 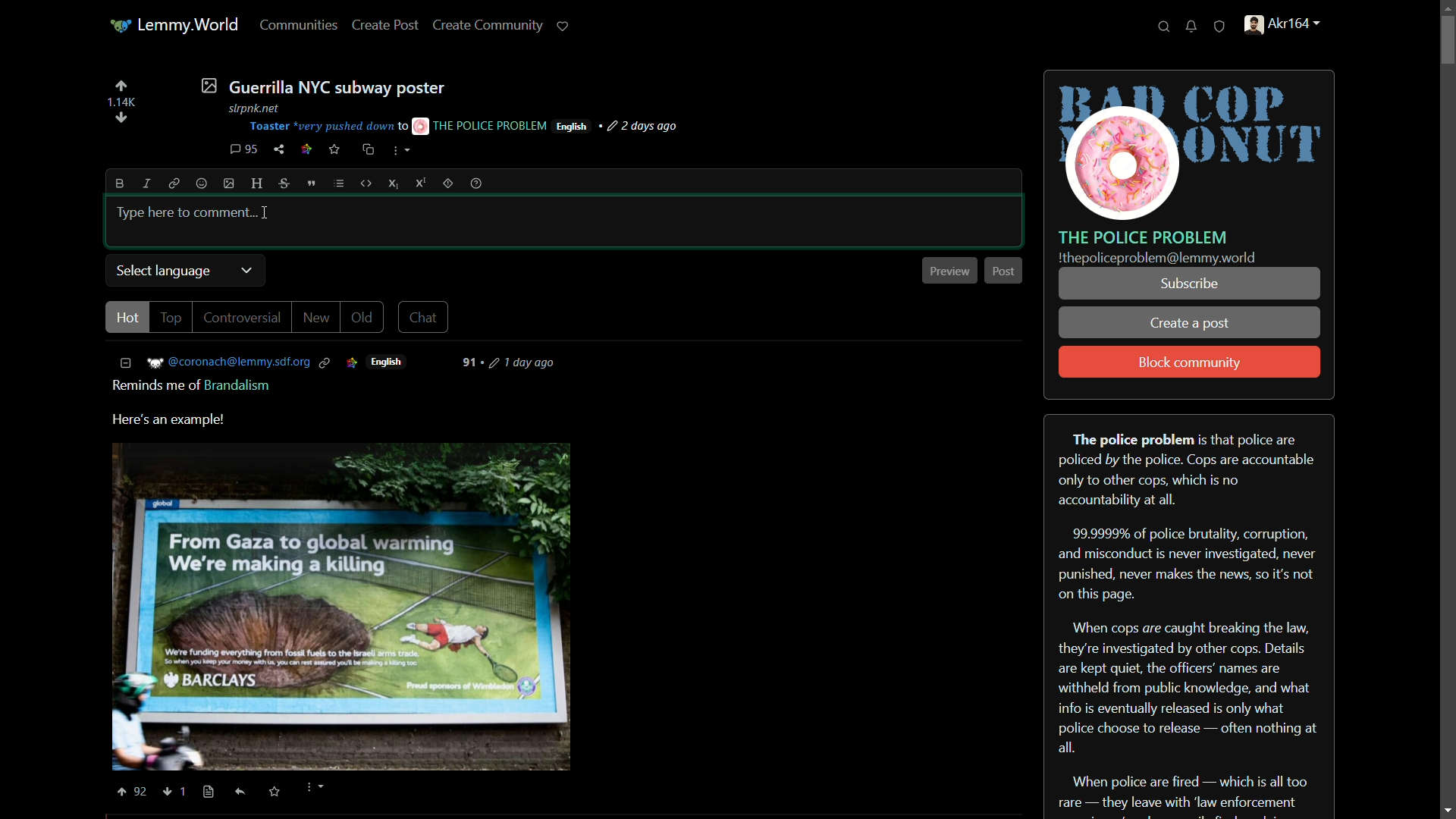 I want to click on lemmy world , so click(x=176, y=26).